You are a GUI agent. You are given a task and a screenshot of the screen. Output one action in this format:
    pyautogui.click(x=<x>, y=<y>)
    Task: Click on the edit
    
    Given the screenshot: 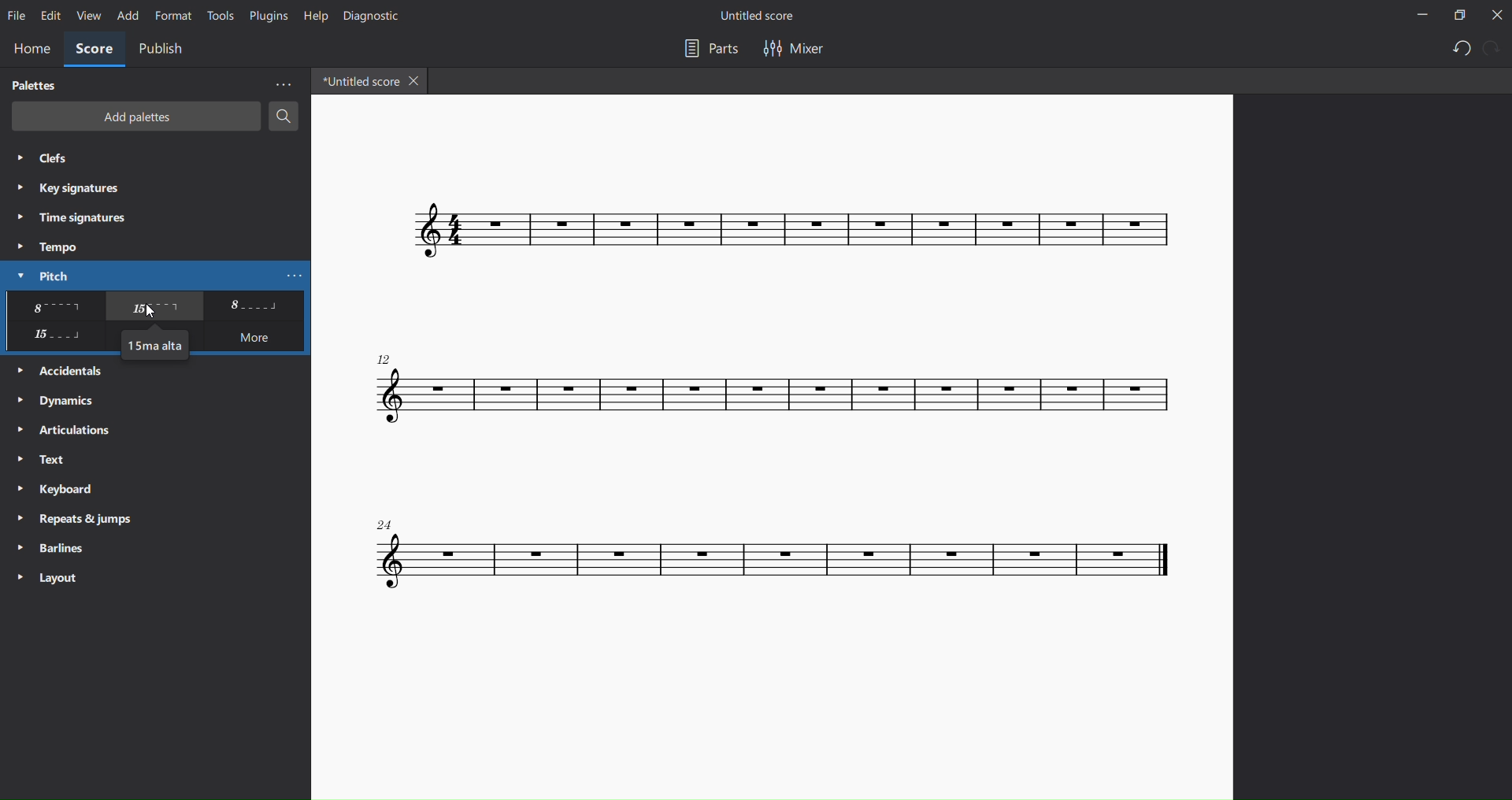 What is the action you would take?
    pyautogui.click(x=49, y=17)
    